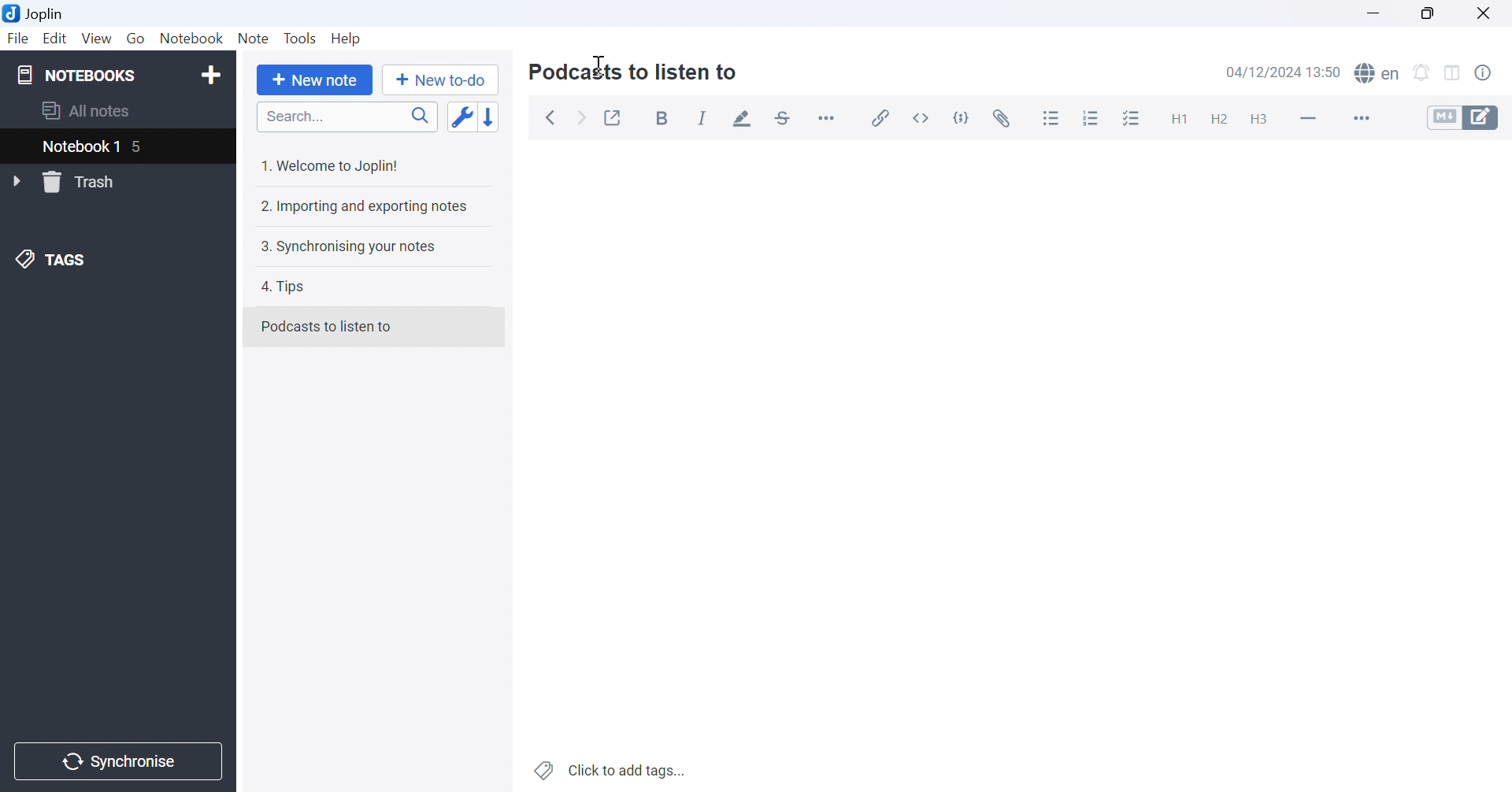 Image resolution: width=1512 pixels, height=792 pixels. Describe the element at coordinates (80, 147) in the screenshot. I see `Notebook 1` at that location.